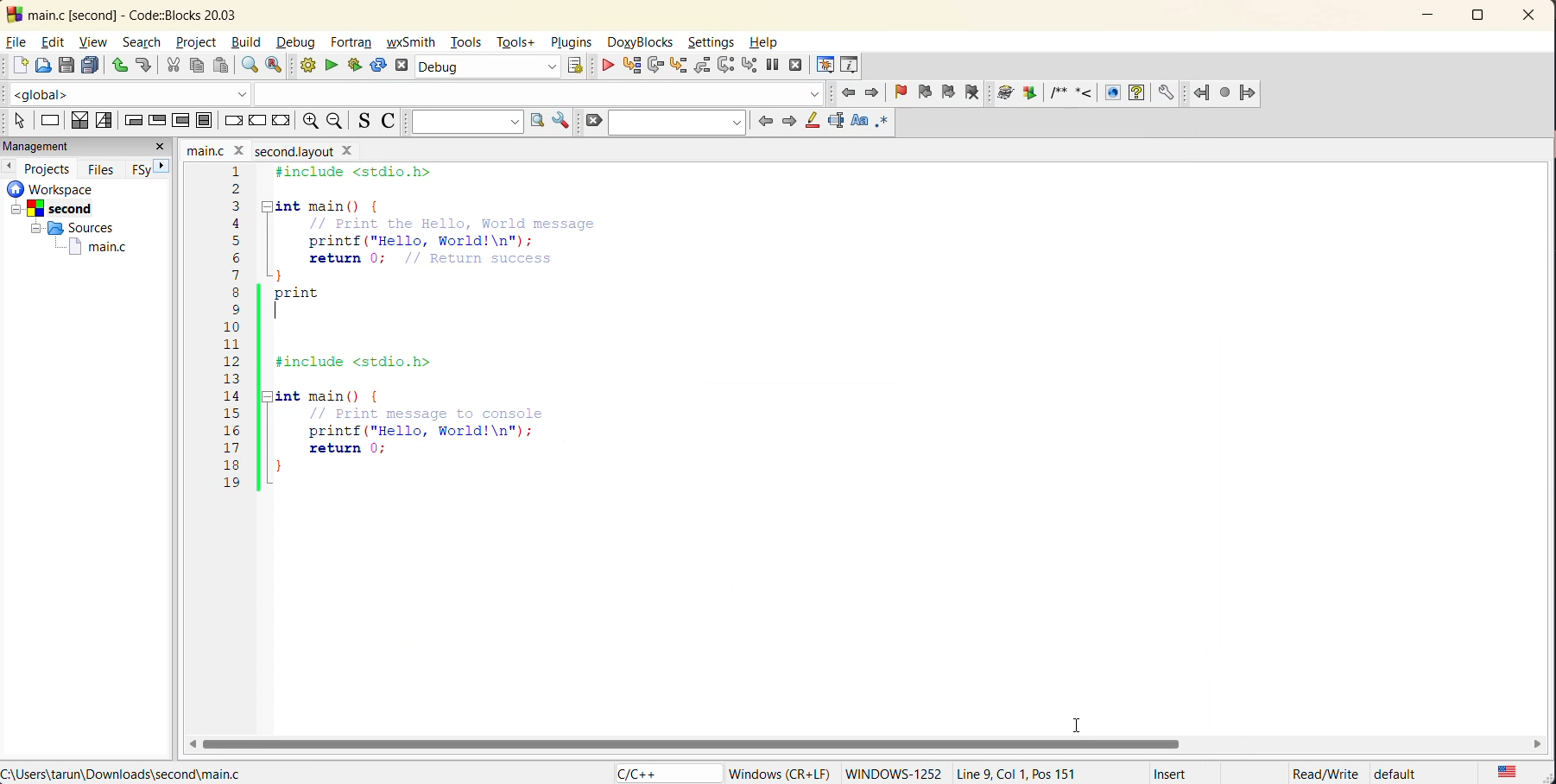  What do you see at coordinates (66, 66) in the screenshot?
I see `save` at bounding box center [66, 66].